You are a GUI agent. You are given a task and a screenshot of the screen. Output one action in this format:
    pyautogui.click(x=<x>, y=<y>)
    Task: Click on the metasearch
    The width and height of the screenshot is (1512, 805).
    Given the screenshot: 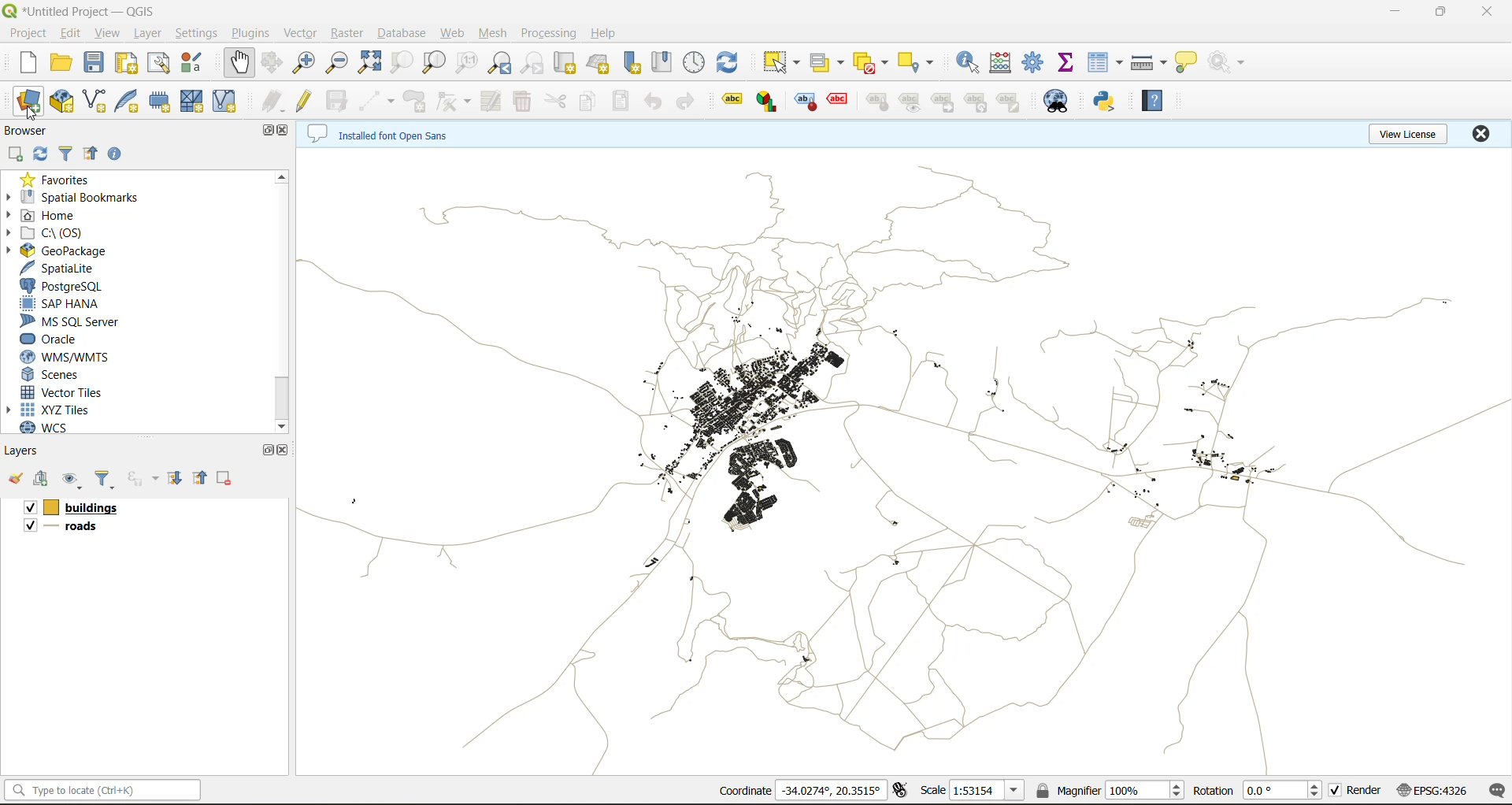 What is the action you would take?
    pyautogui.click(x=1059, y=102)
    